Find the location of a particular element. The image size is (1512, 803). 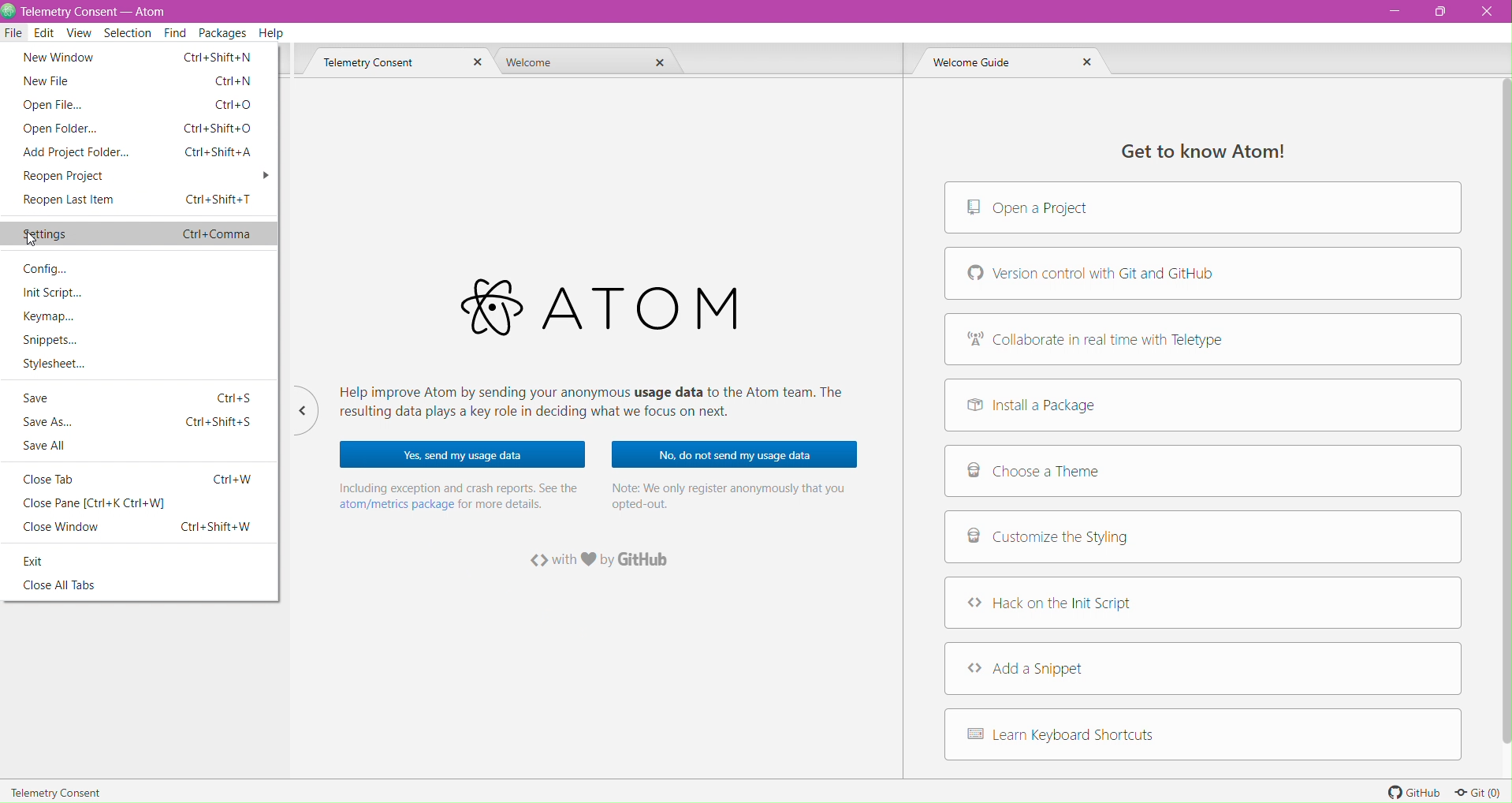

Telemetry consent - Atom is located at coordinates (102, 11).